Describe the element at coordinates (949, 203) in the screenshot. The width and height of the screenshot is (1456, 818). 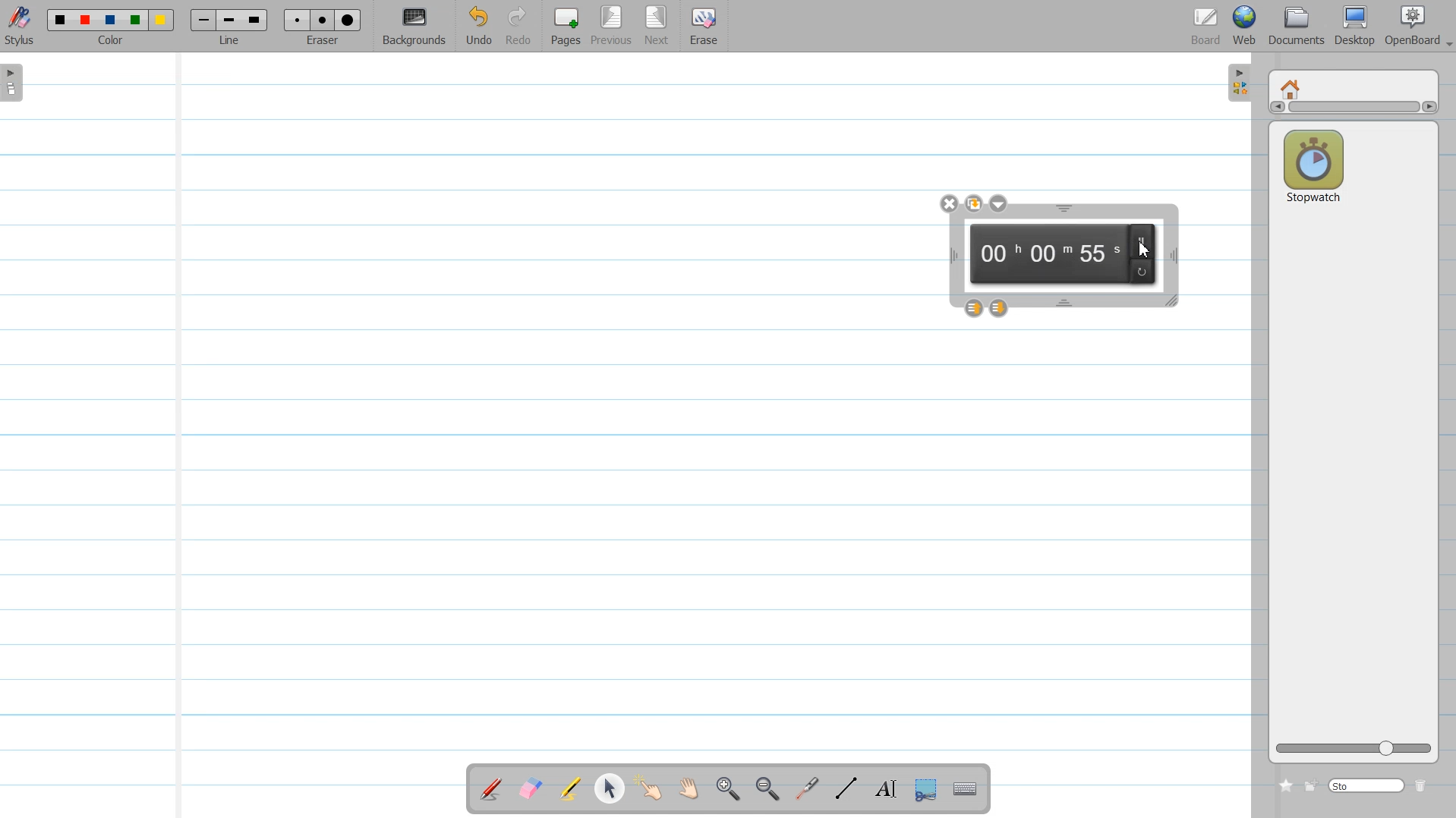
I see `close` at that location.